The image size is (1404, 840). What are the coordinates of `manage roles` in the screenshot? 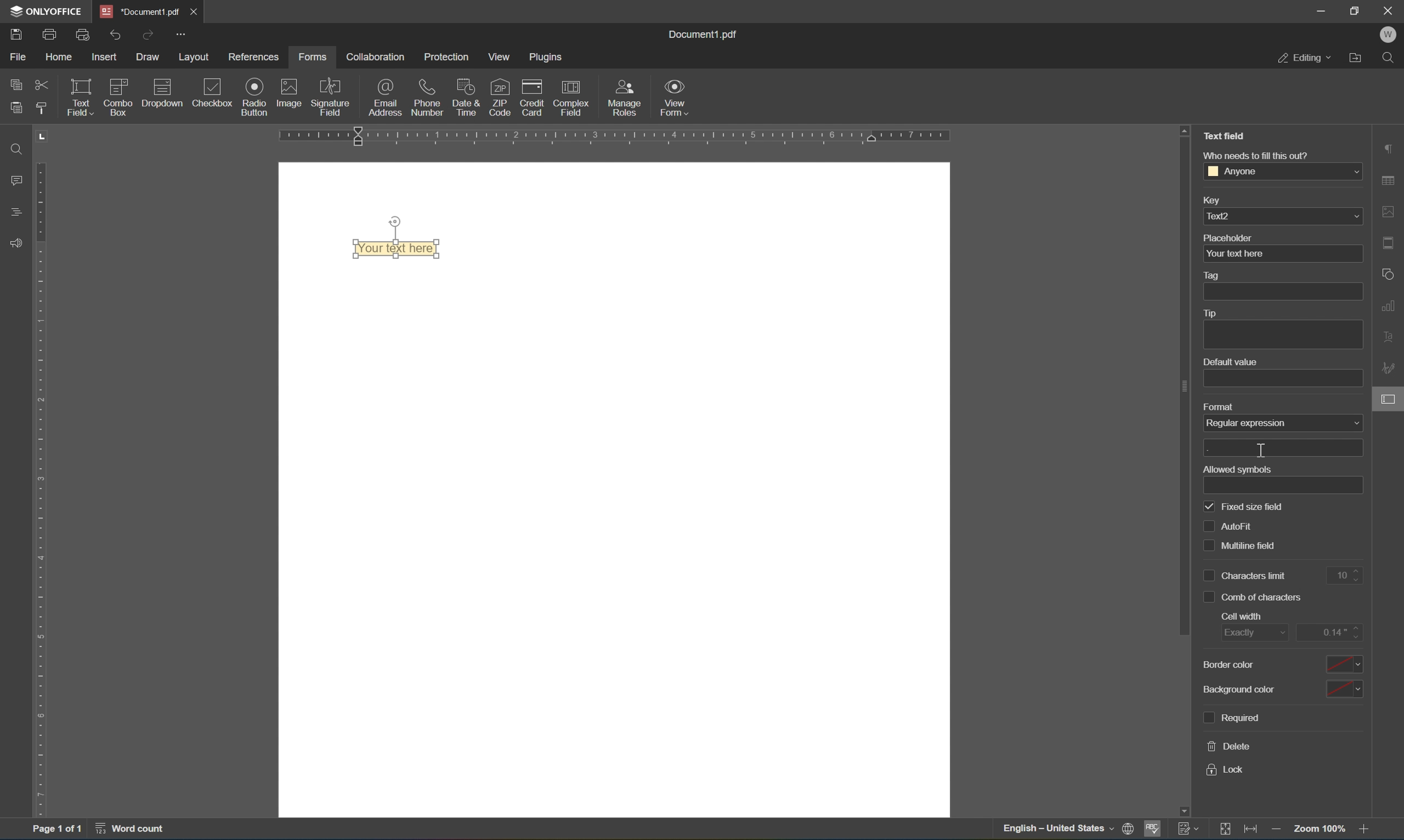 It's located at (625, 97).